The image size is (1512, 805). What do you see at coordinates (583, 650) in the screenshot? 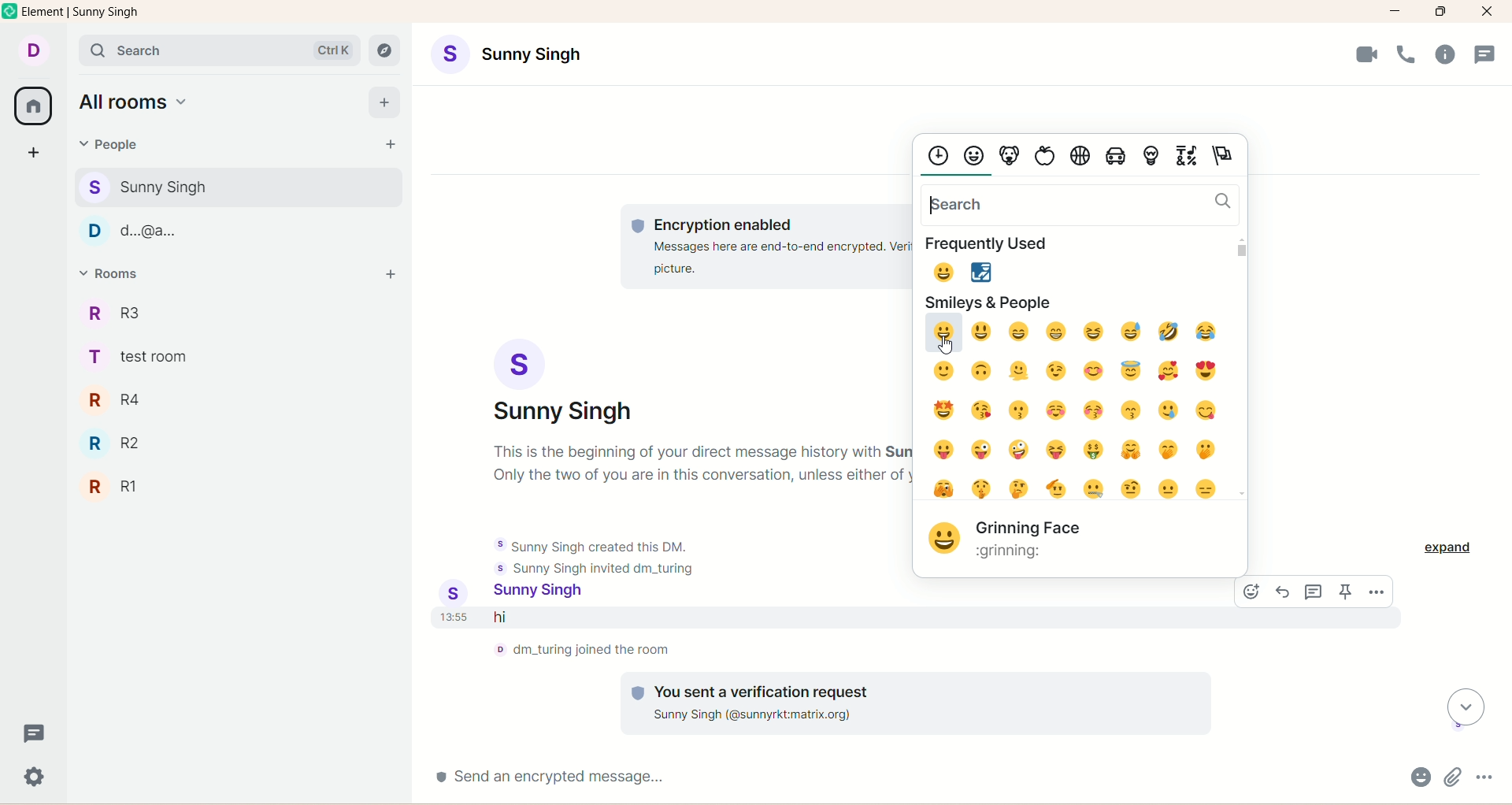
I see `text` at bounding box center [583, 650].